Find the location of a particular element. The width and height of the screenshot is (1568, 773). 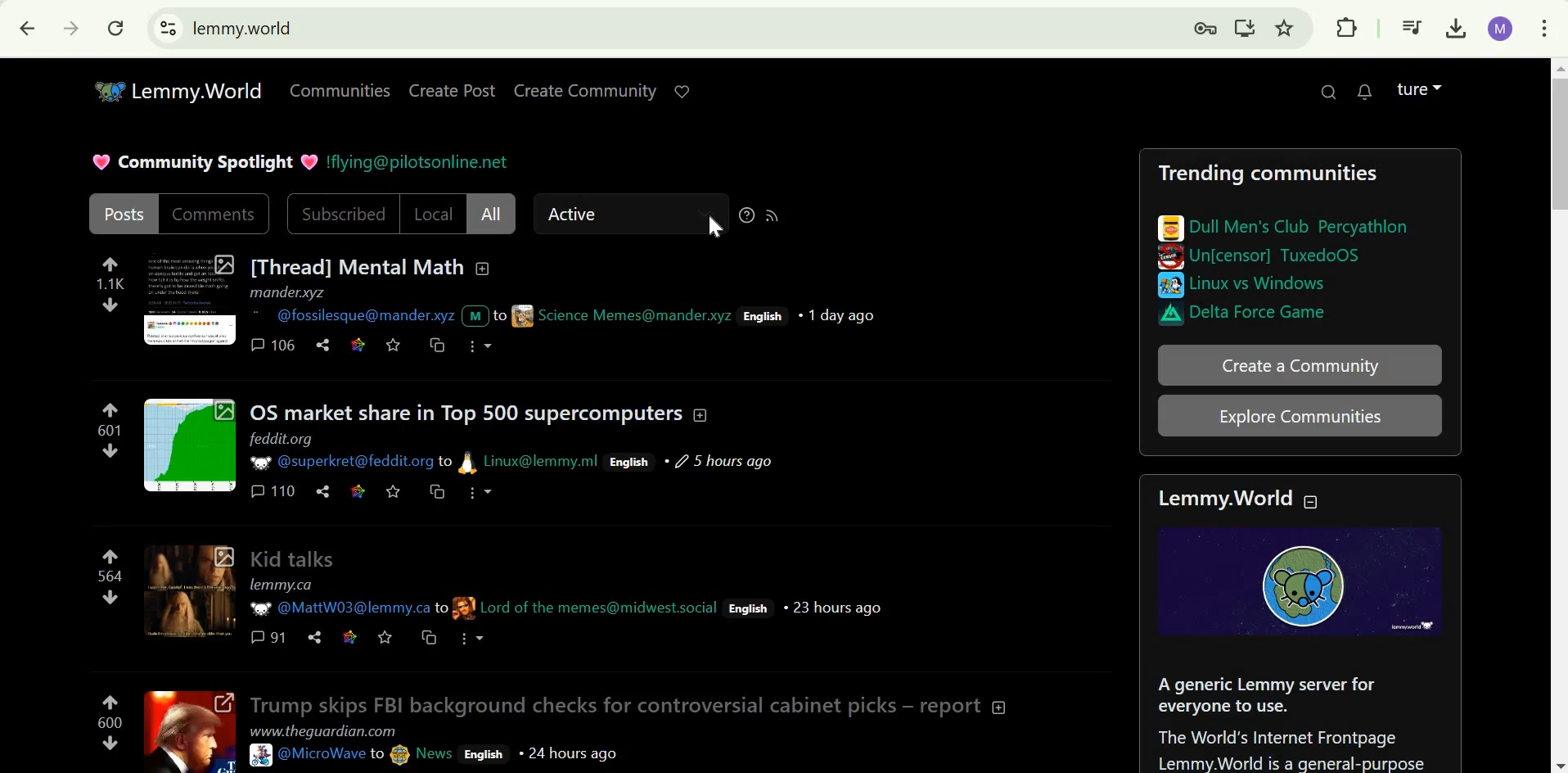

English is located at coordinates (761, 316).